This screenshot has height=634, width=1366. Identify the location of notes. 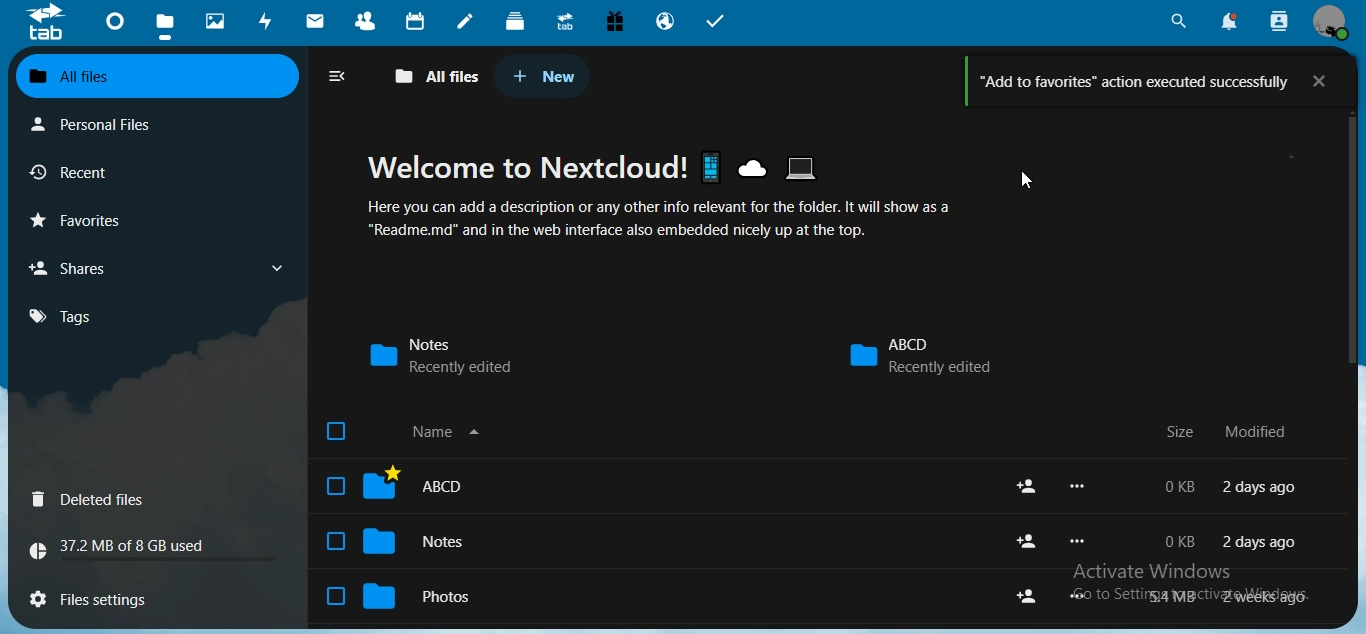
(468, 20).